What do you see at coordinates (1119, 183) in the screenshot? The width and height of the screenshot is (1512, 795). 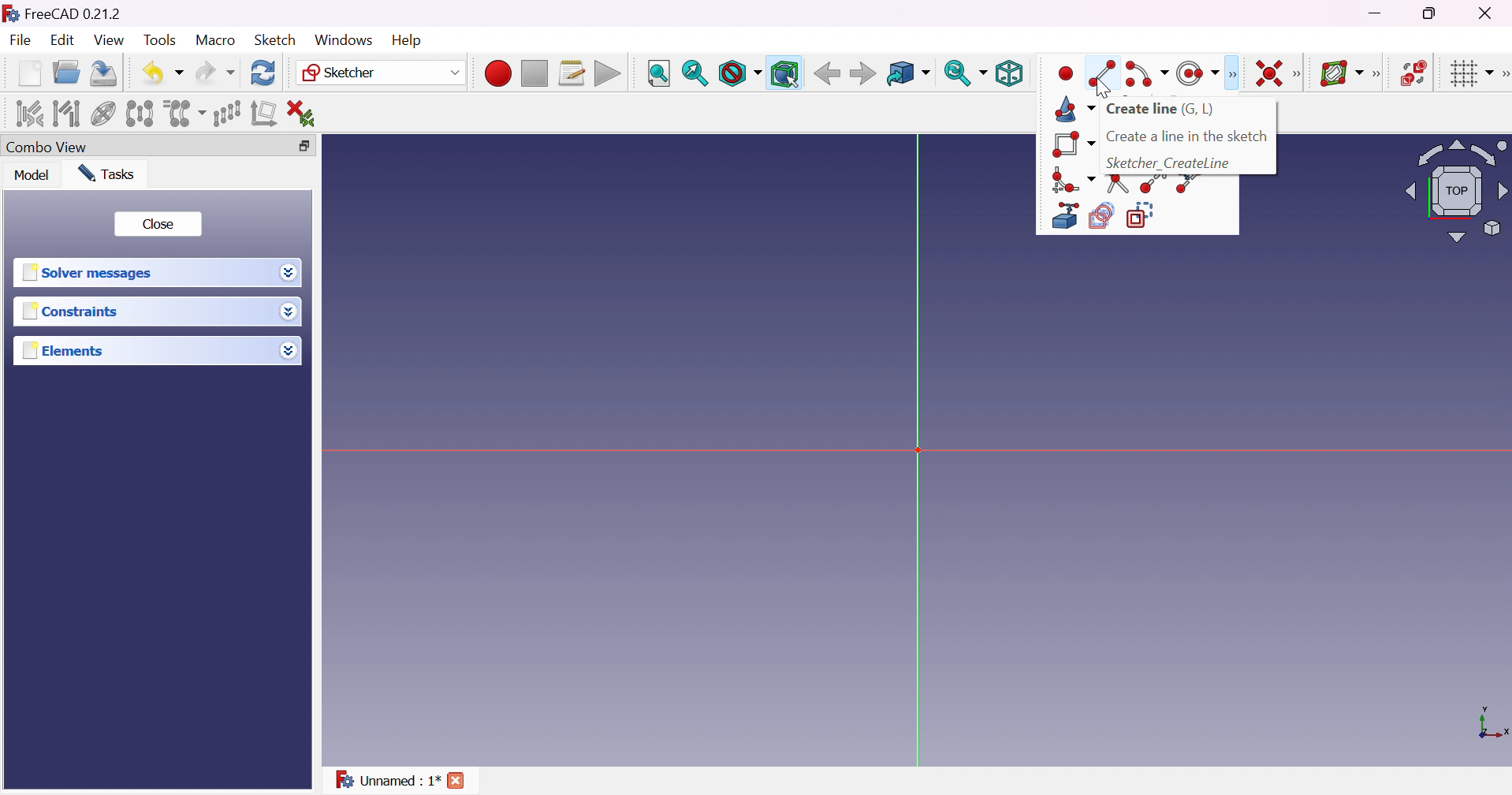 I see `Trim edge` at bounding box center [1119, 183].